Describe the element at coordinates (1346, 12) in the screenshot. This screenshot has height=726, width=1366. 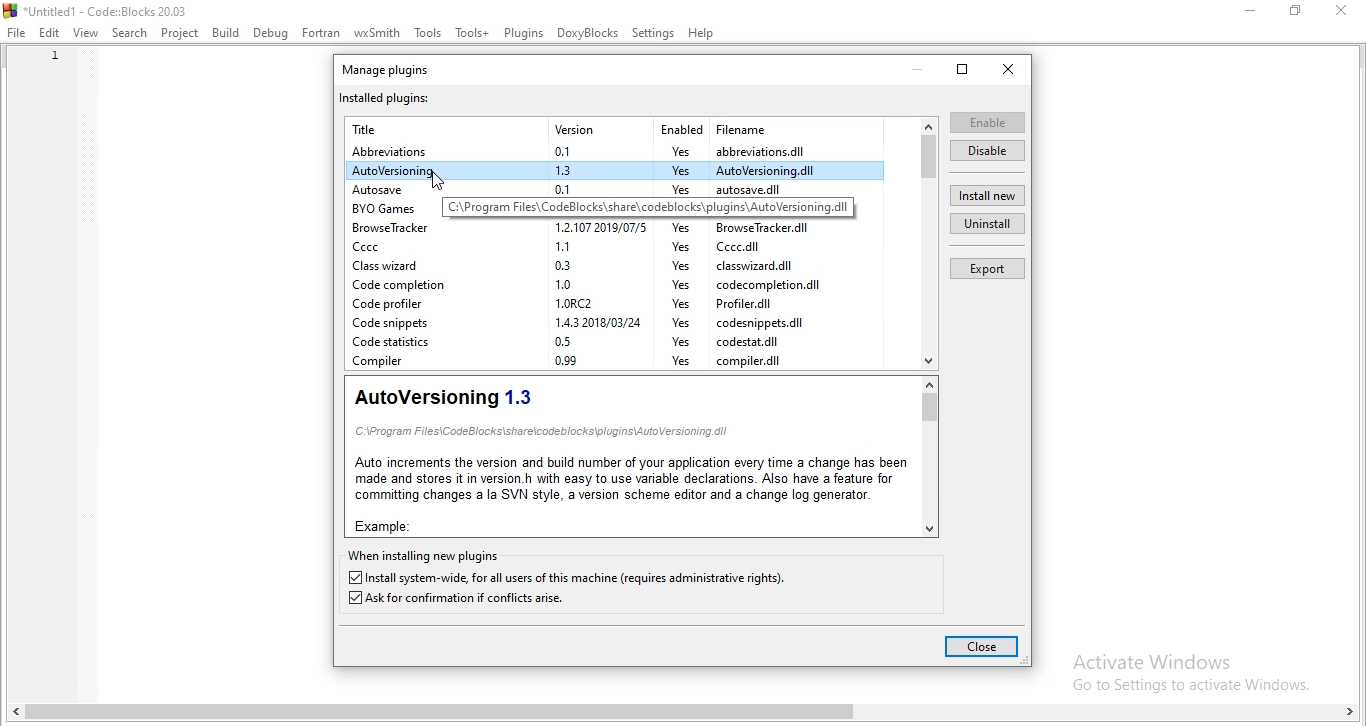
I see `close` at that location.